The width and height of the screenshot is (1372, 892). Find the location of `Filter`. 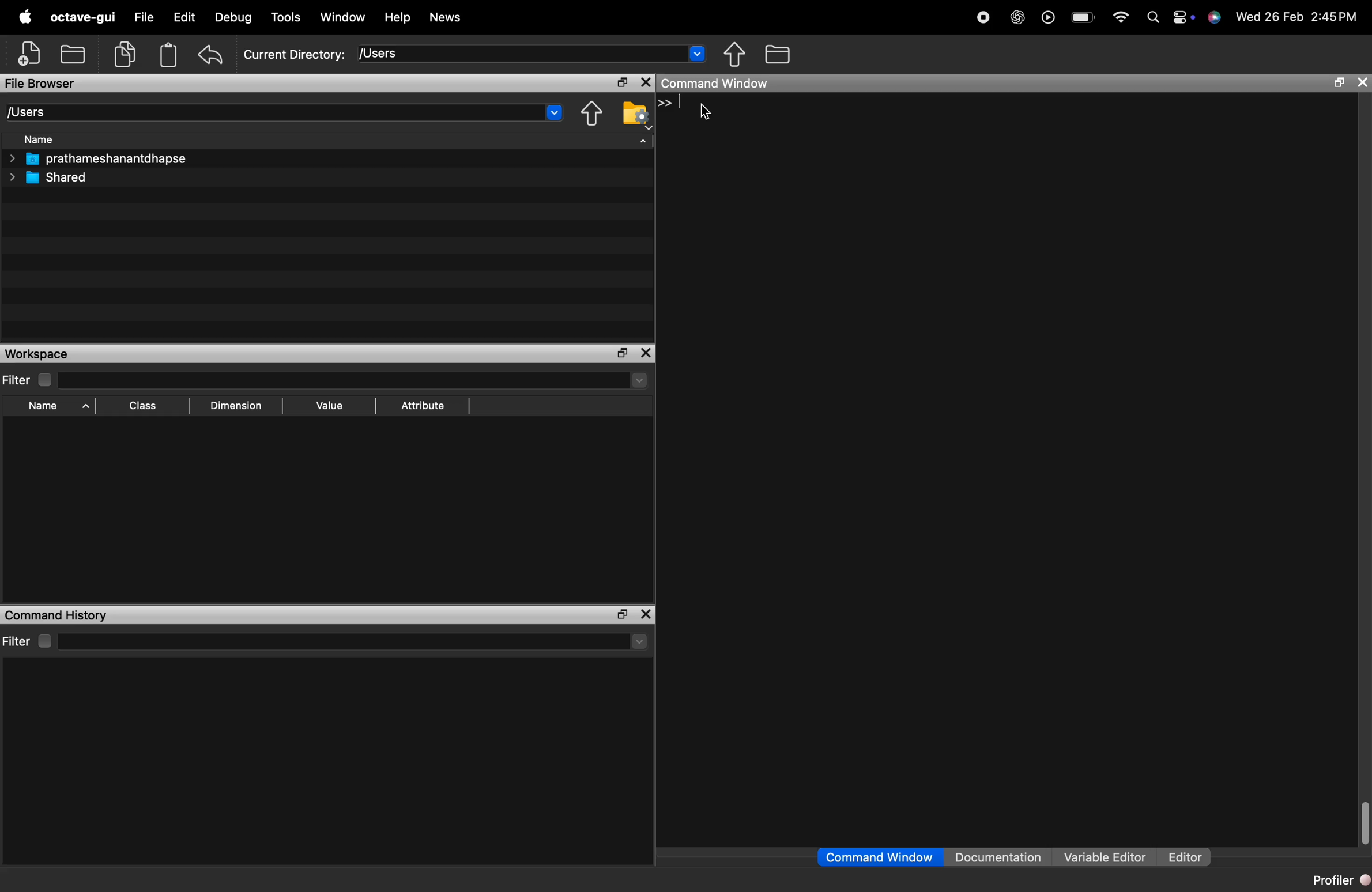

Filter is located at coordinates (28, 637).